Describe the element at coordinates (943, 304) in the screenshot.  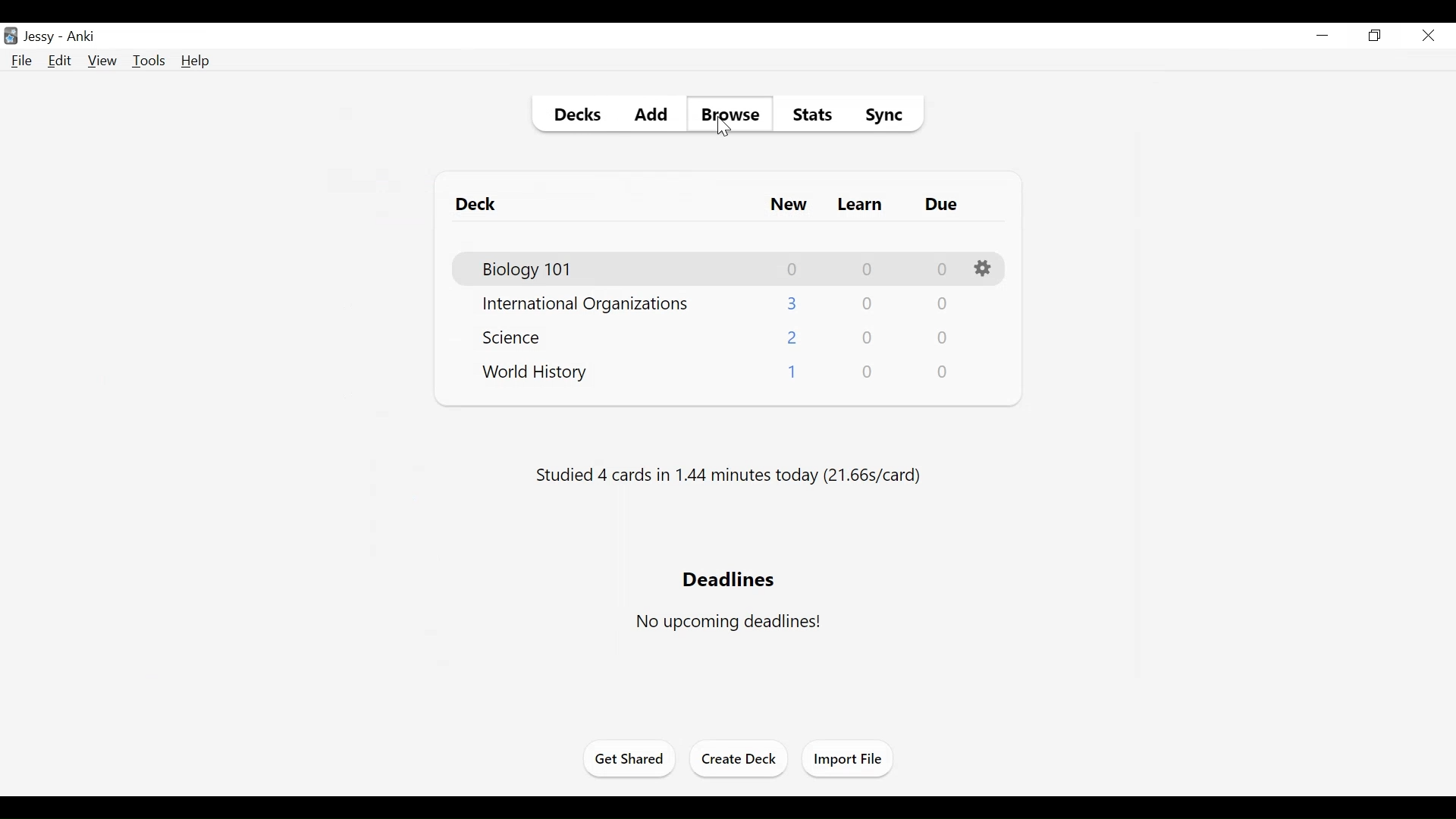
I see `Due Card Count` at that location.